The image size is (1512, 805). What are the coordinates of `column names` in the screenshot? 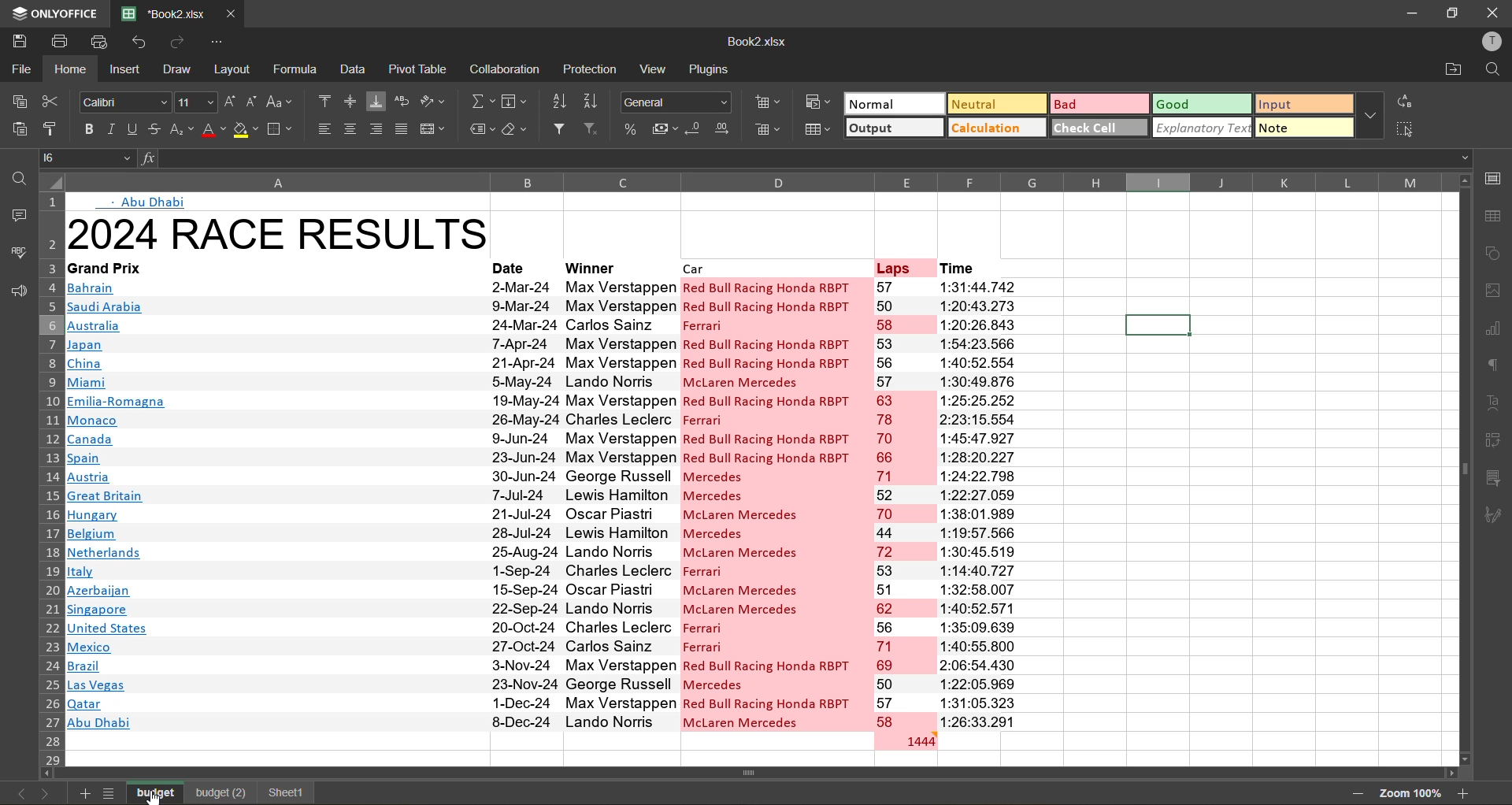 It's located at (750, 182).